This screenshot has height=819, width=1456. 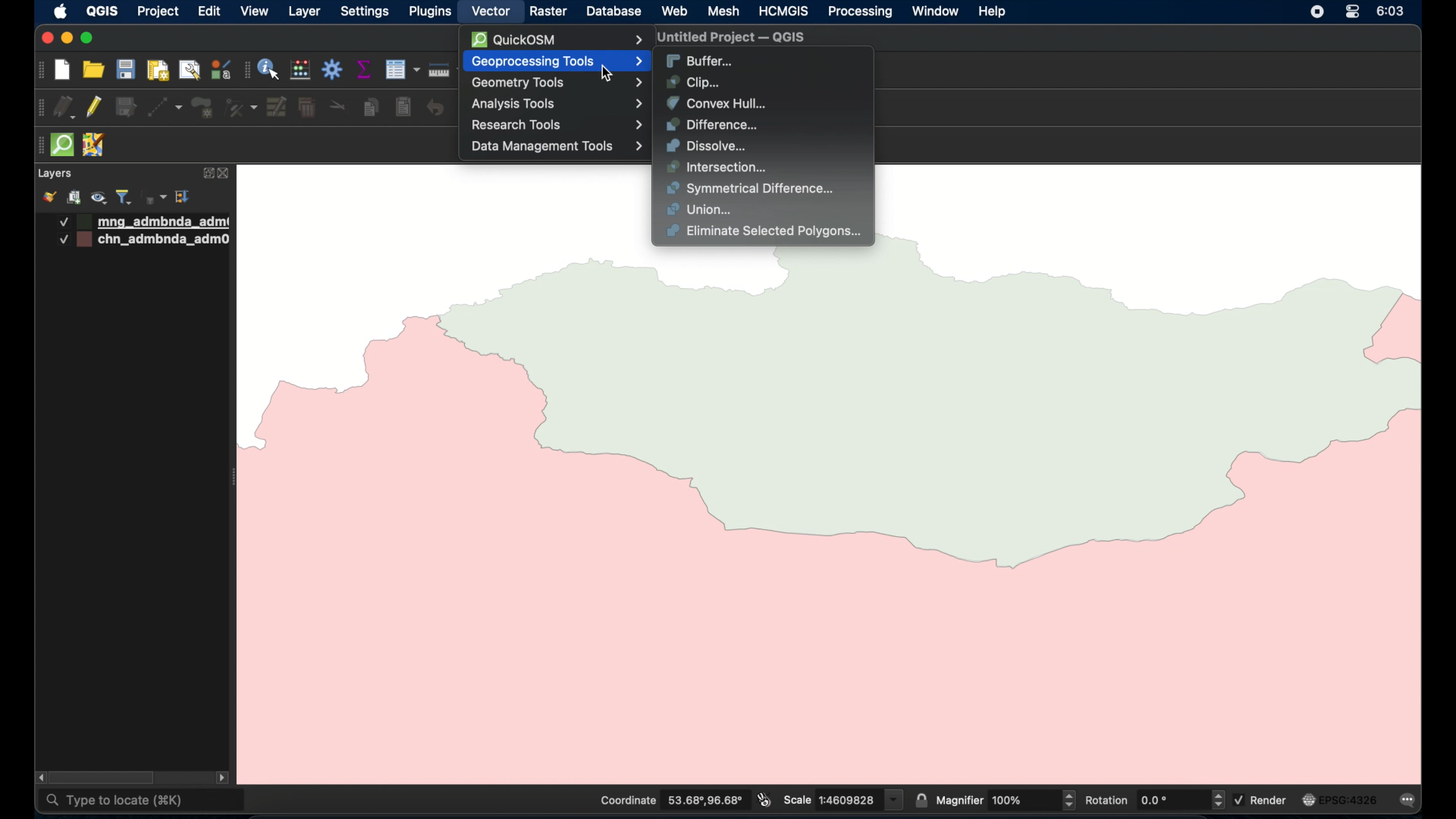 What do you see at coordinates (712, 125) in the screenshot?
I see `difference` at bounding box center [712, 125].